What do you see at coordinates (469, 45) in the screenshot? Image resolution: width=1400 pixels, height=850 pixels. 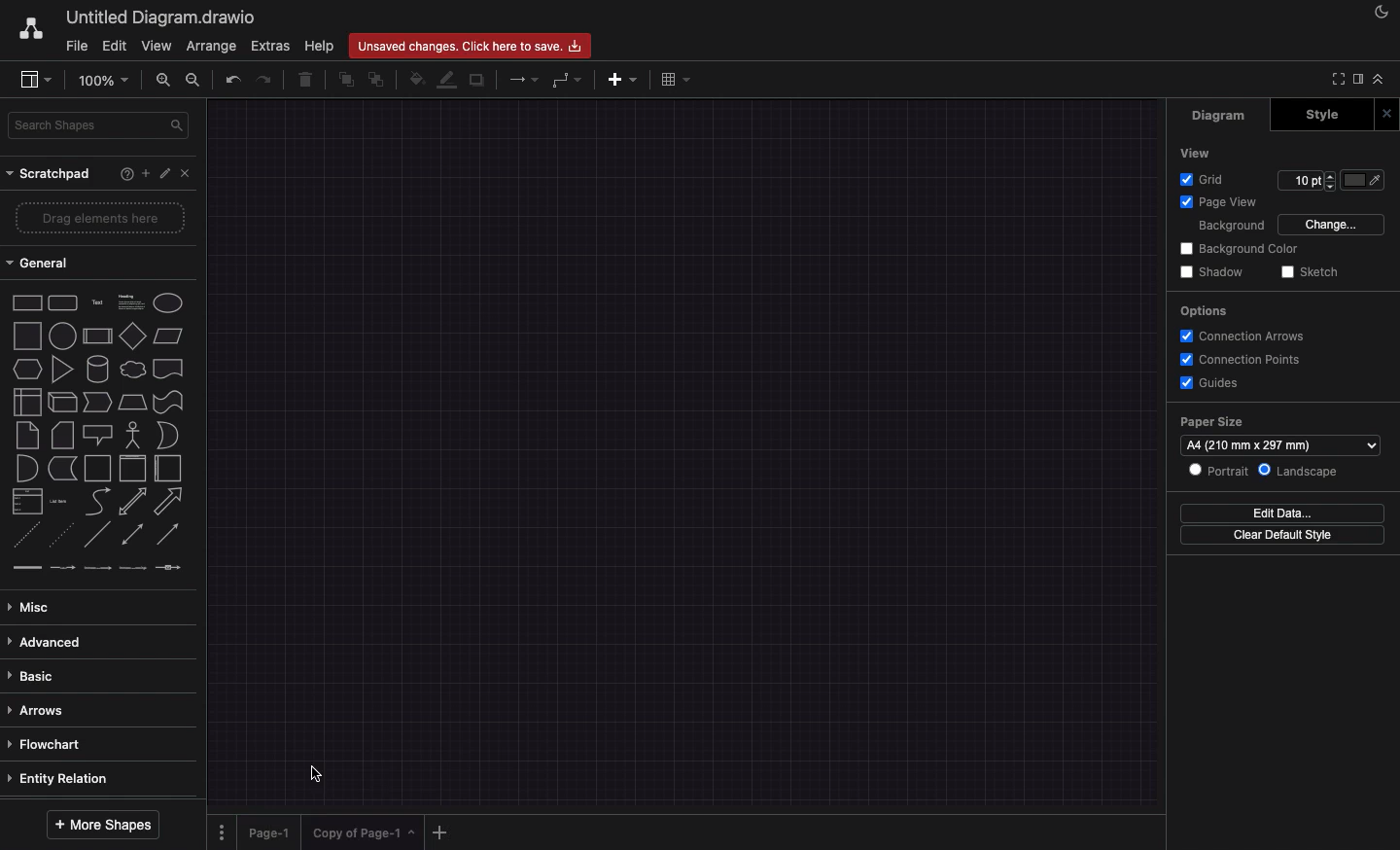 I see `unsaved changes` at bounding box center [469, 45].